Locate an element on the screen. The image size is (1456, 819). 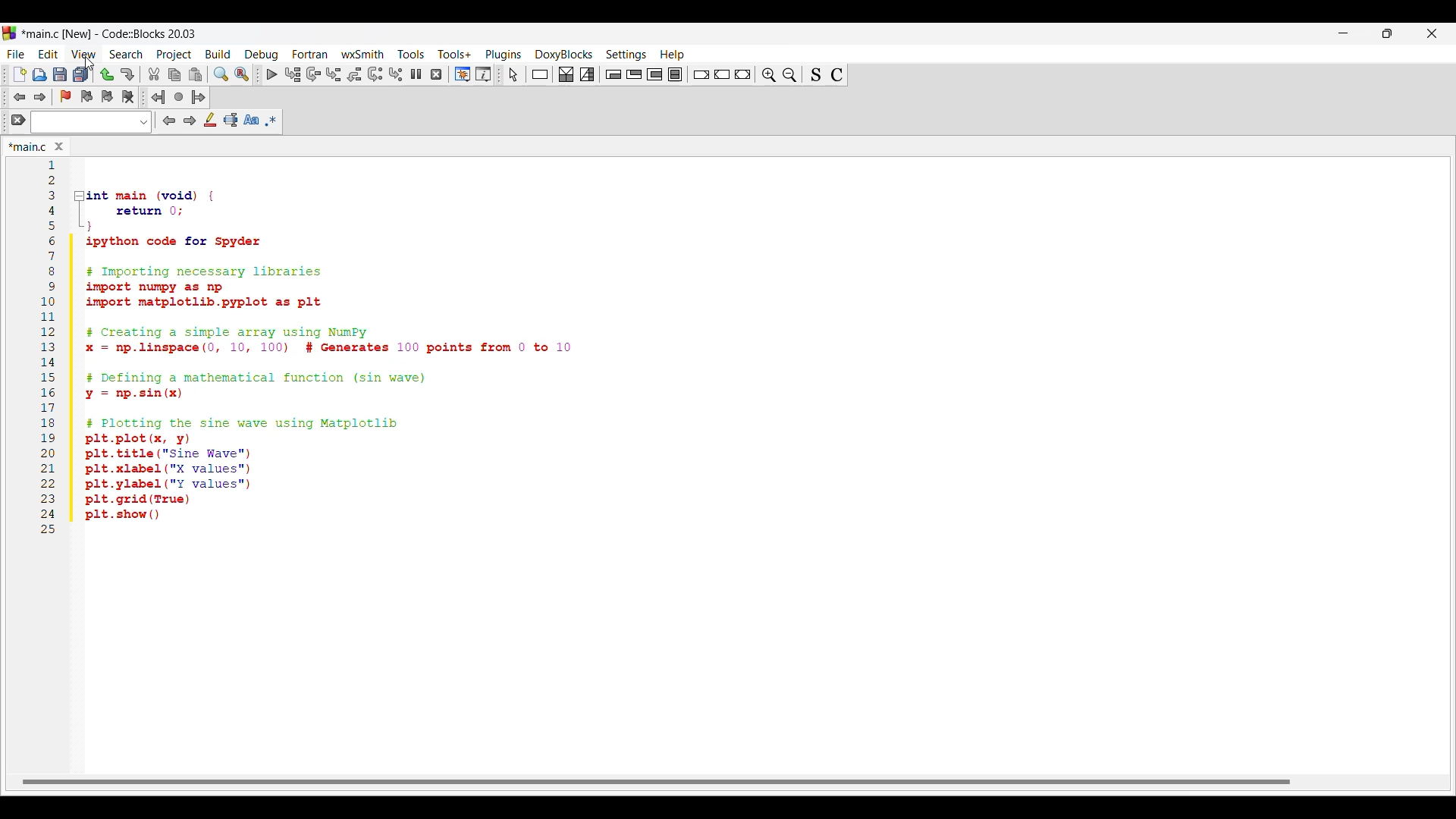
Project name, software name and version is located at coordinates (113, 33).